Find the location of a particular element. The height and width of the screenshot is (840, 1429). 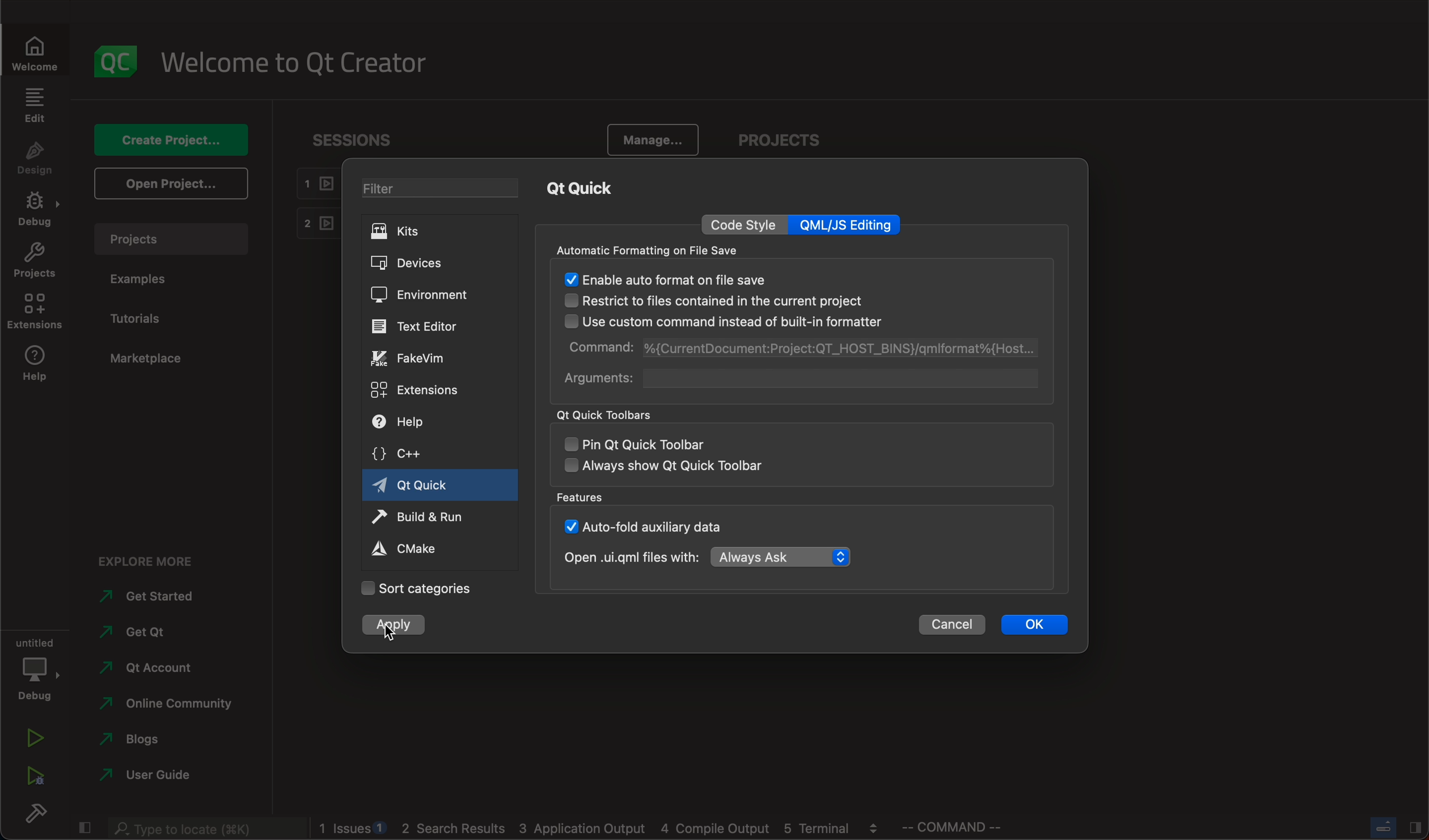

qt quick is located at coordinates (425, 486).